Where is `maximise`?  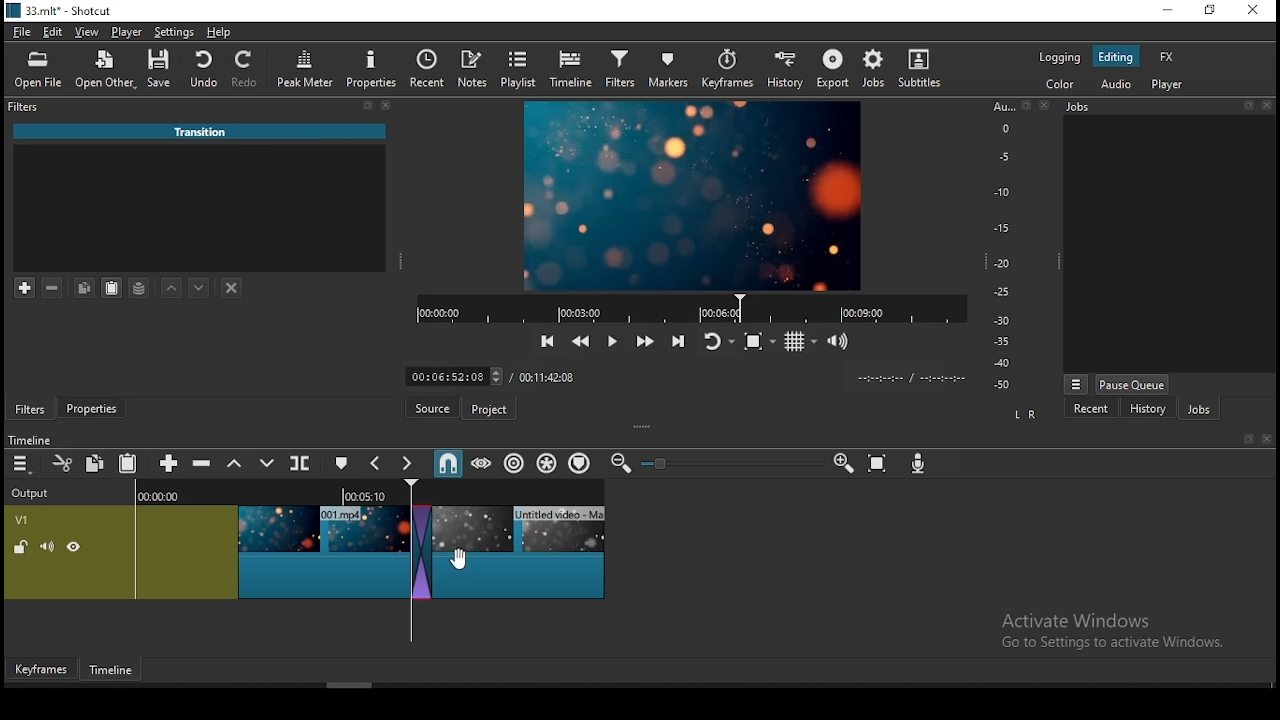
maximise is located at coordinates (1211, 11).